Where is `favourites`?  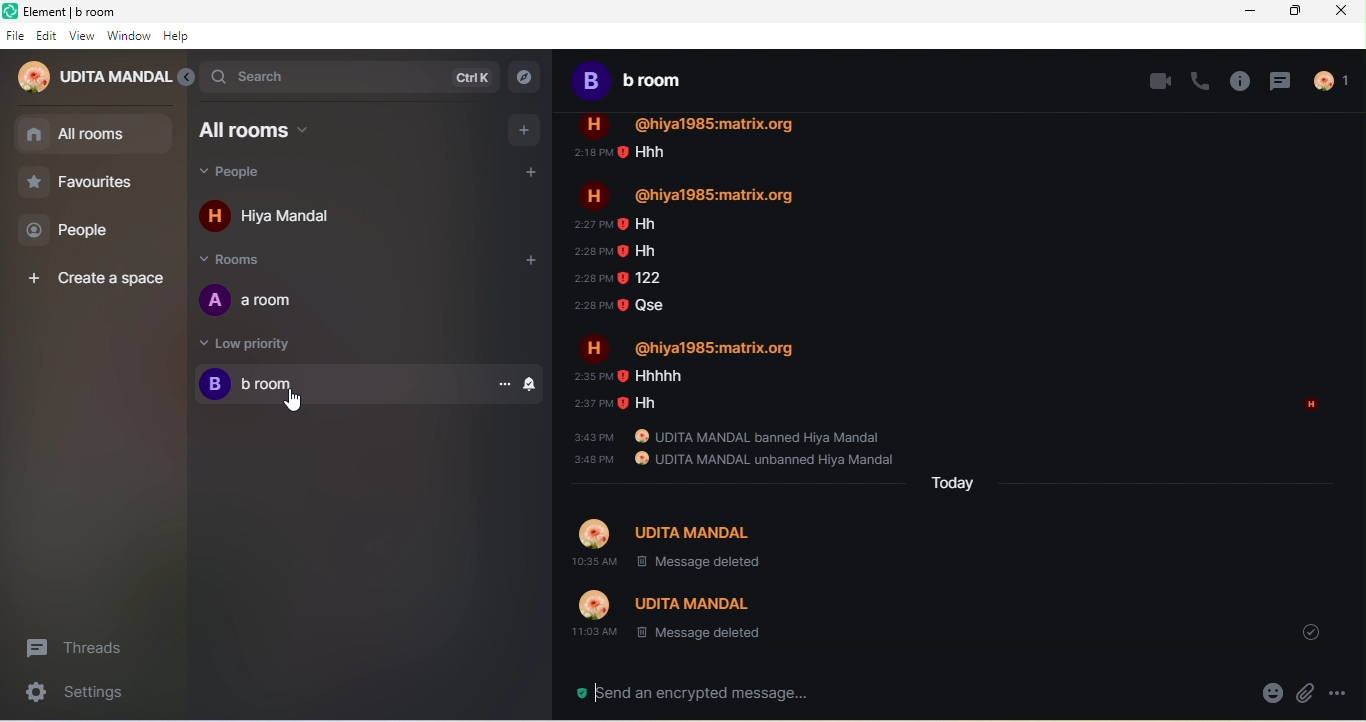 favourites is located at coordinates (82, 186).